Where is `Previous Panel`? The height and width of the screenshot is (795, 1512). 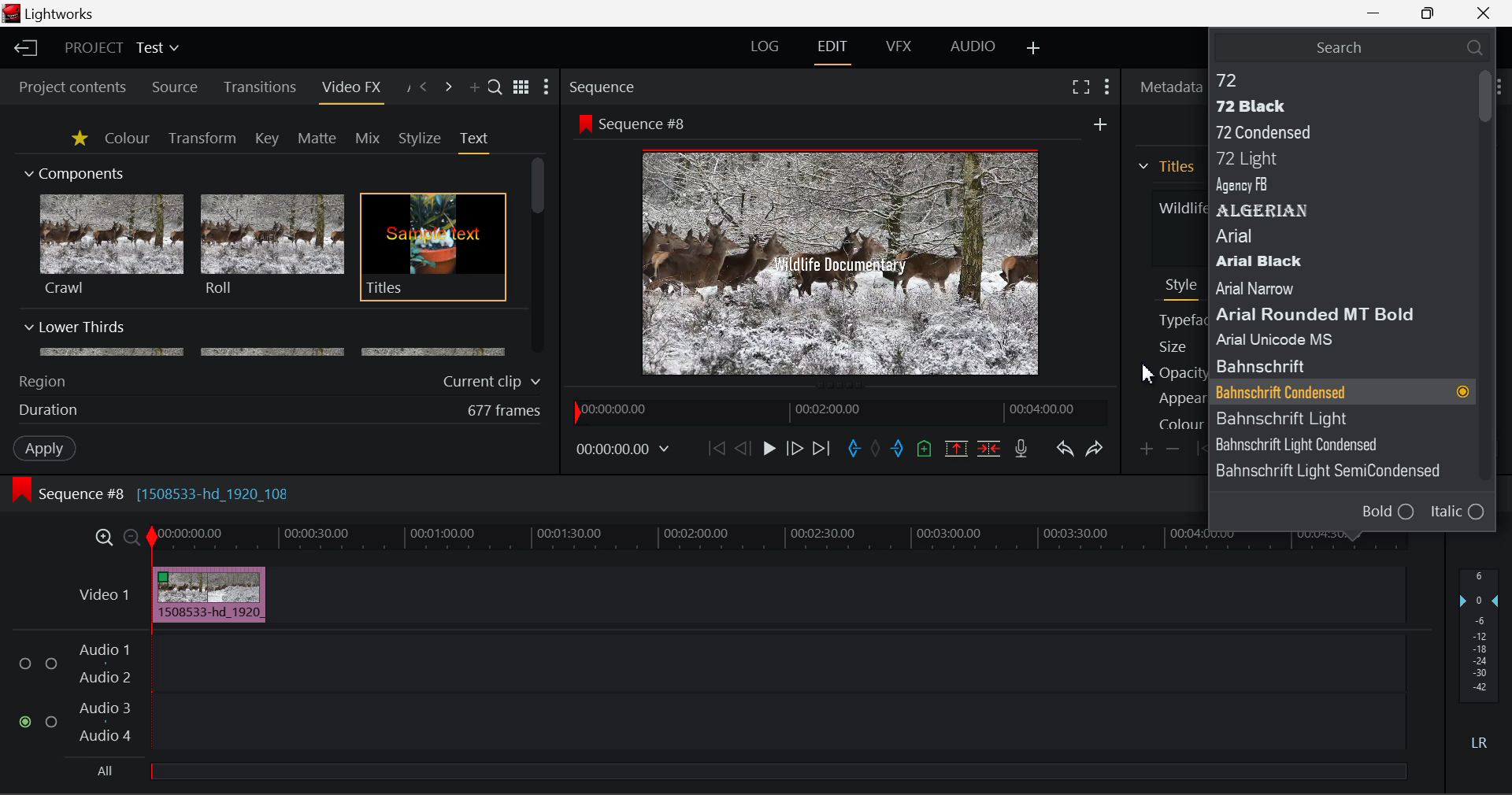
Previous Panel is located at coordinates (422, 88).